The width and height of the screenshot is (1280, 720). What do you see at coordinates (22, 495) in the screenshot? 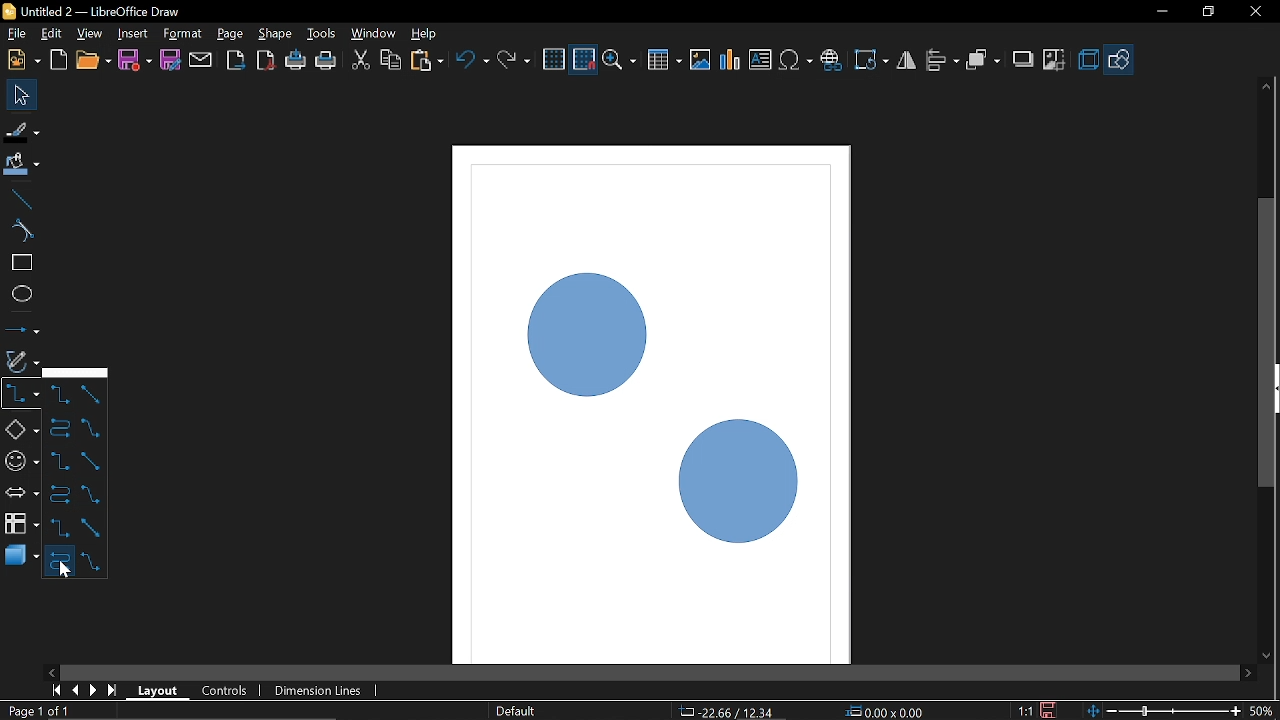
I see `Arrows` at bounding box center [22, 495].